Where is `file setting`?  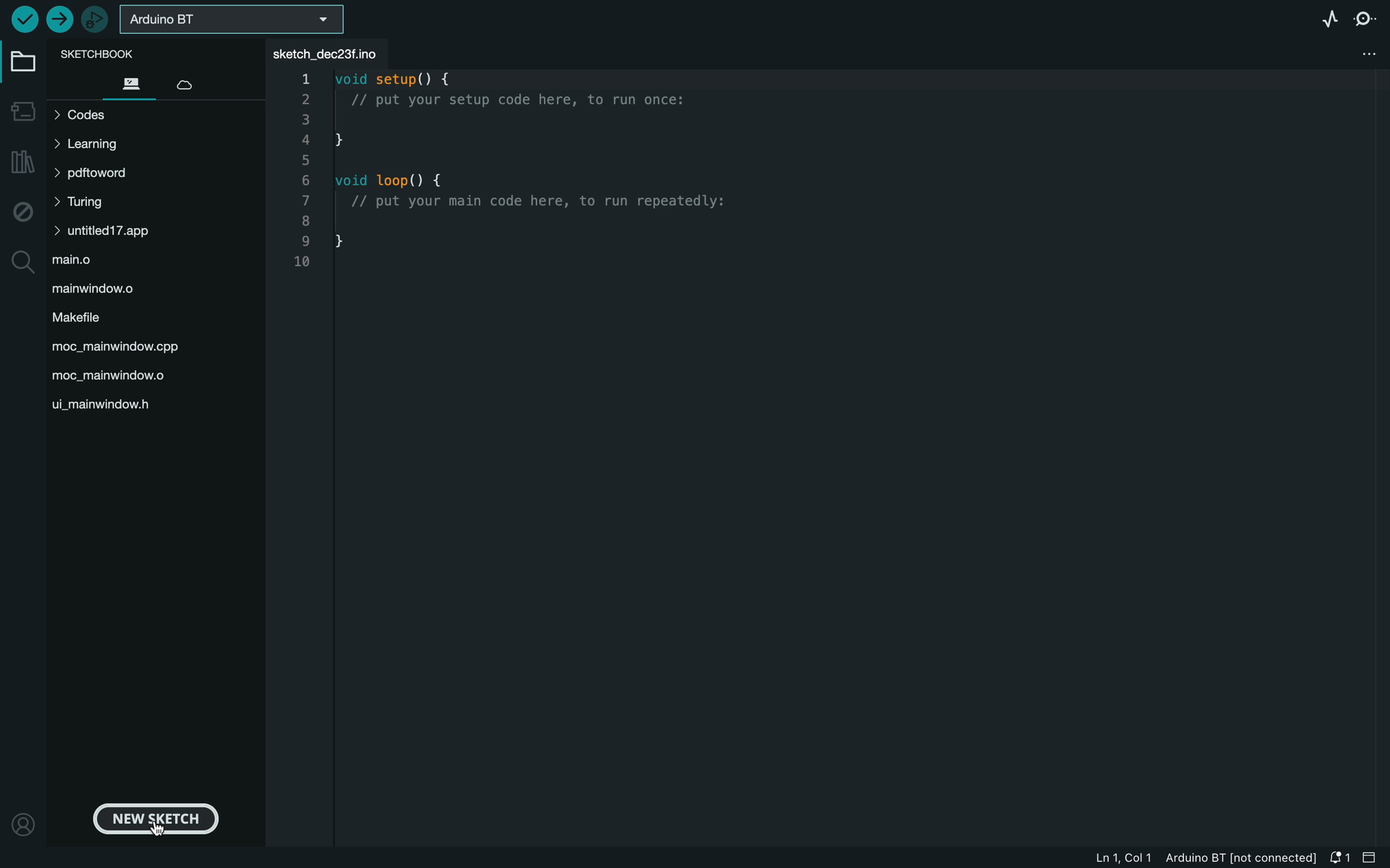 file setting is located at coordinates (1364, 52).